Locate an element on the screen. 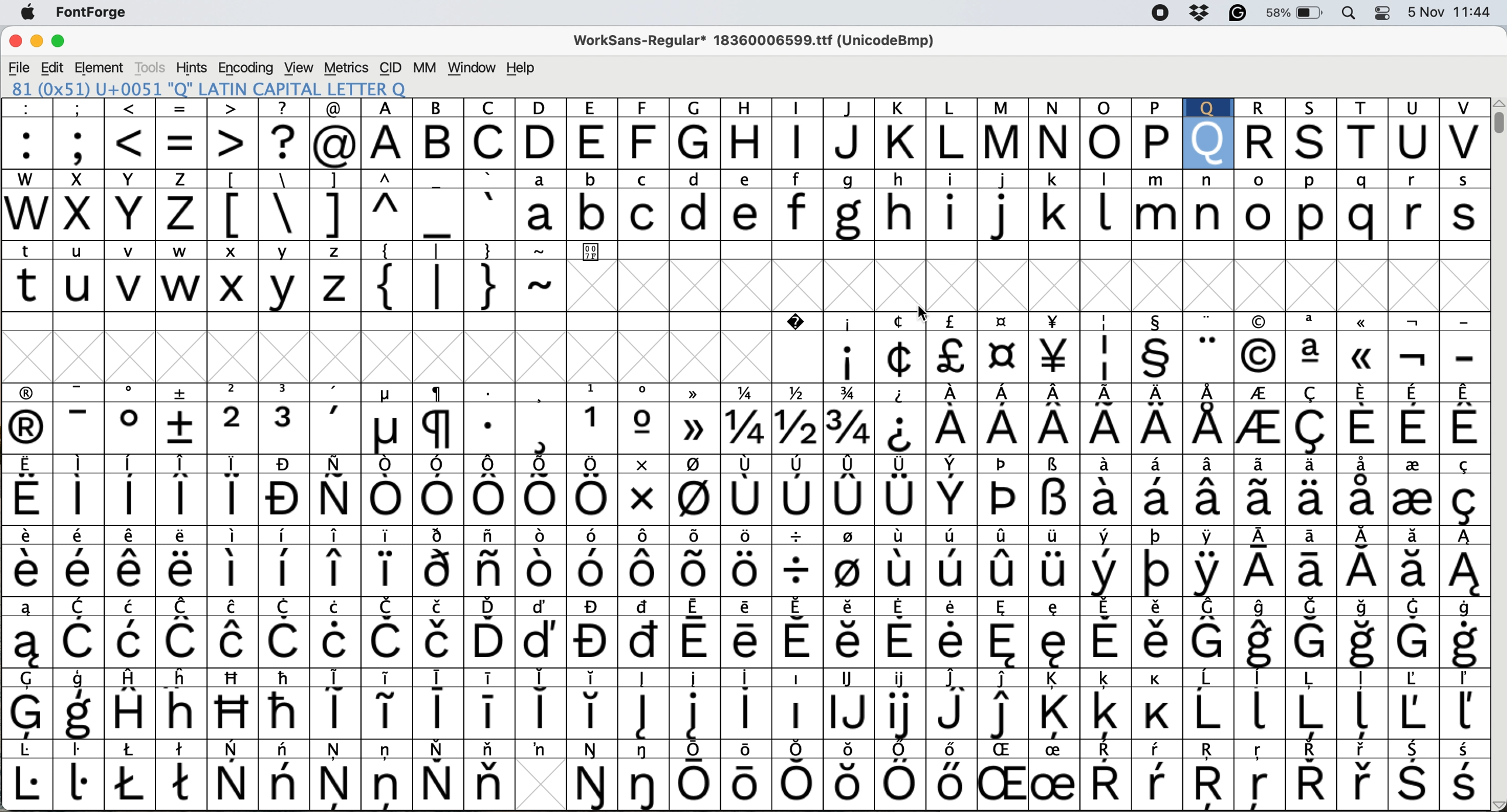 The image size is (1507, 812). cid is located at coordinates (391, 67).